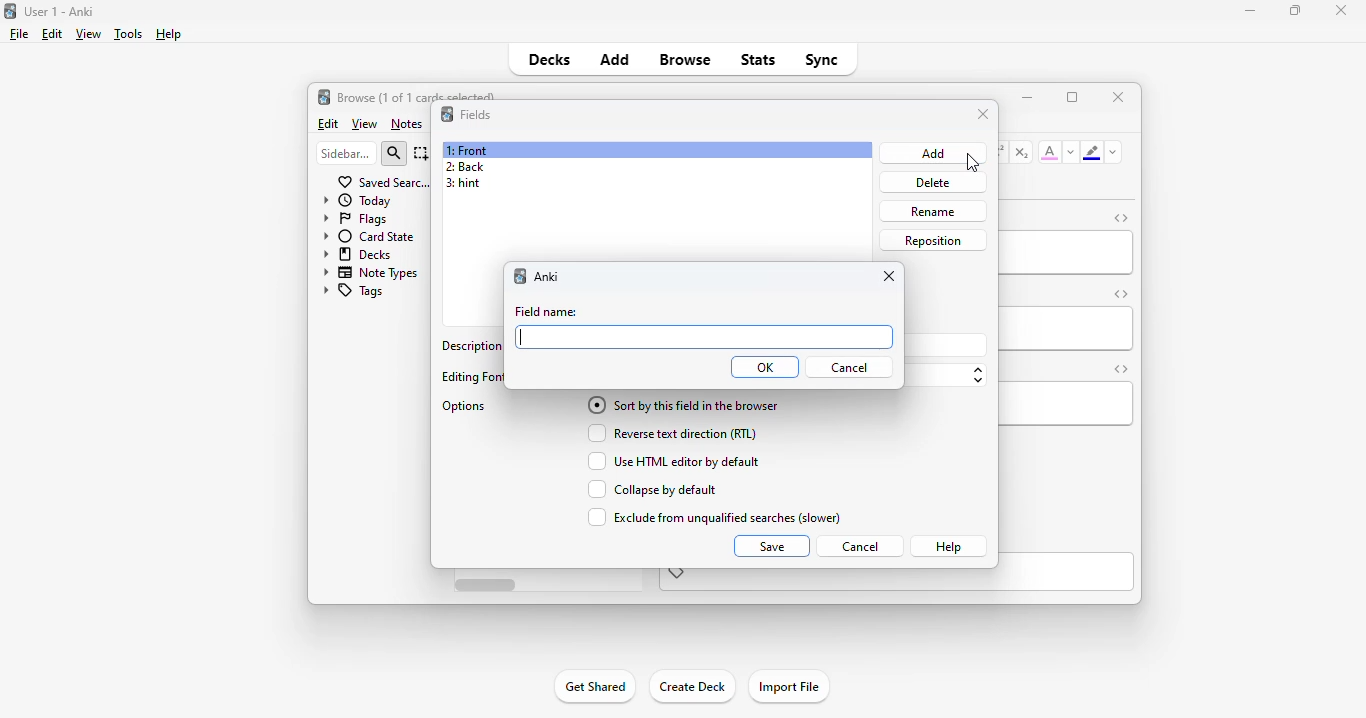 This screenshot has height=718, width=1366. I want to click on close, so click(890, 276).